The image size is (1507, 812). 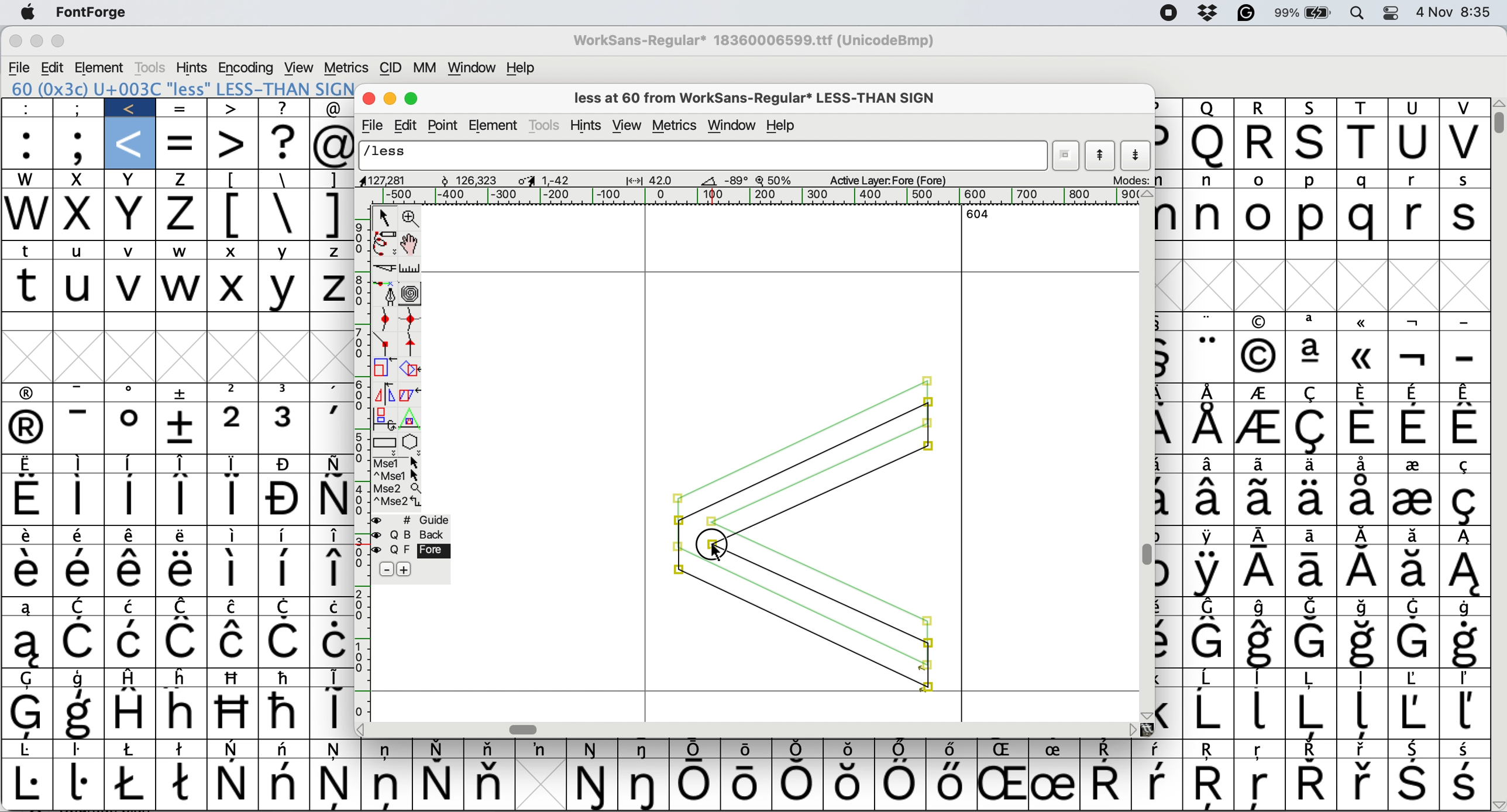 I want to click on Symbol, so click(x=1054, y=749).